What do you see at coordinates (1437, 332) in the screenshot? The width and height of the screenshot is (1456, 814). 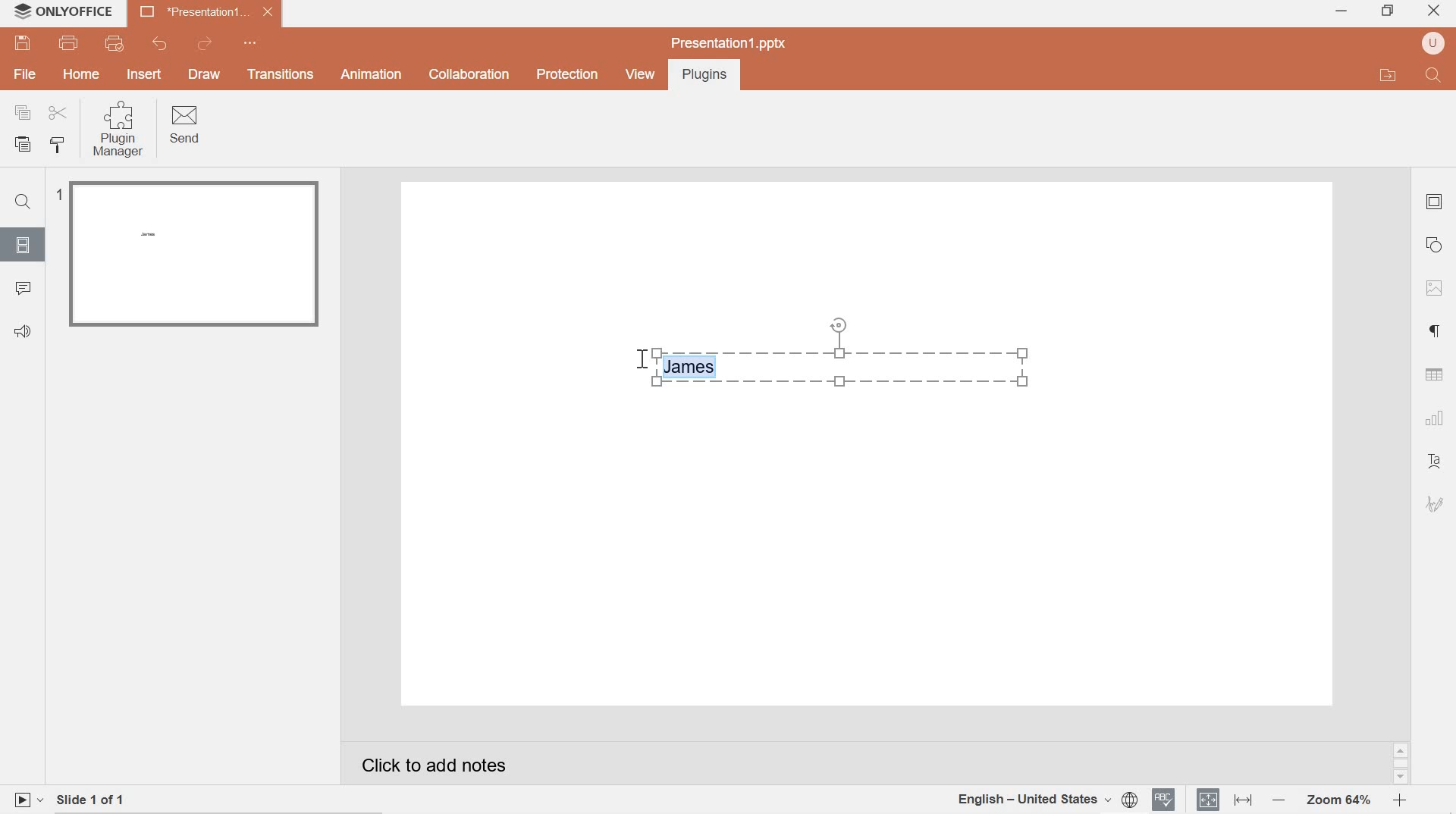 I see `paragraph settings` at bounding box center [1437, 332].